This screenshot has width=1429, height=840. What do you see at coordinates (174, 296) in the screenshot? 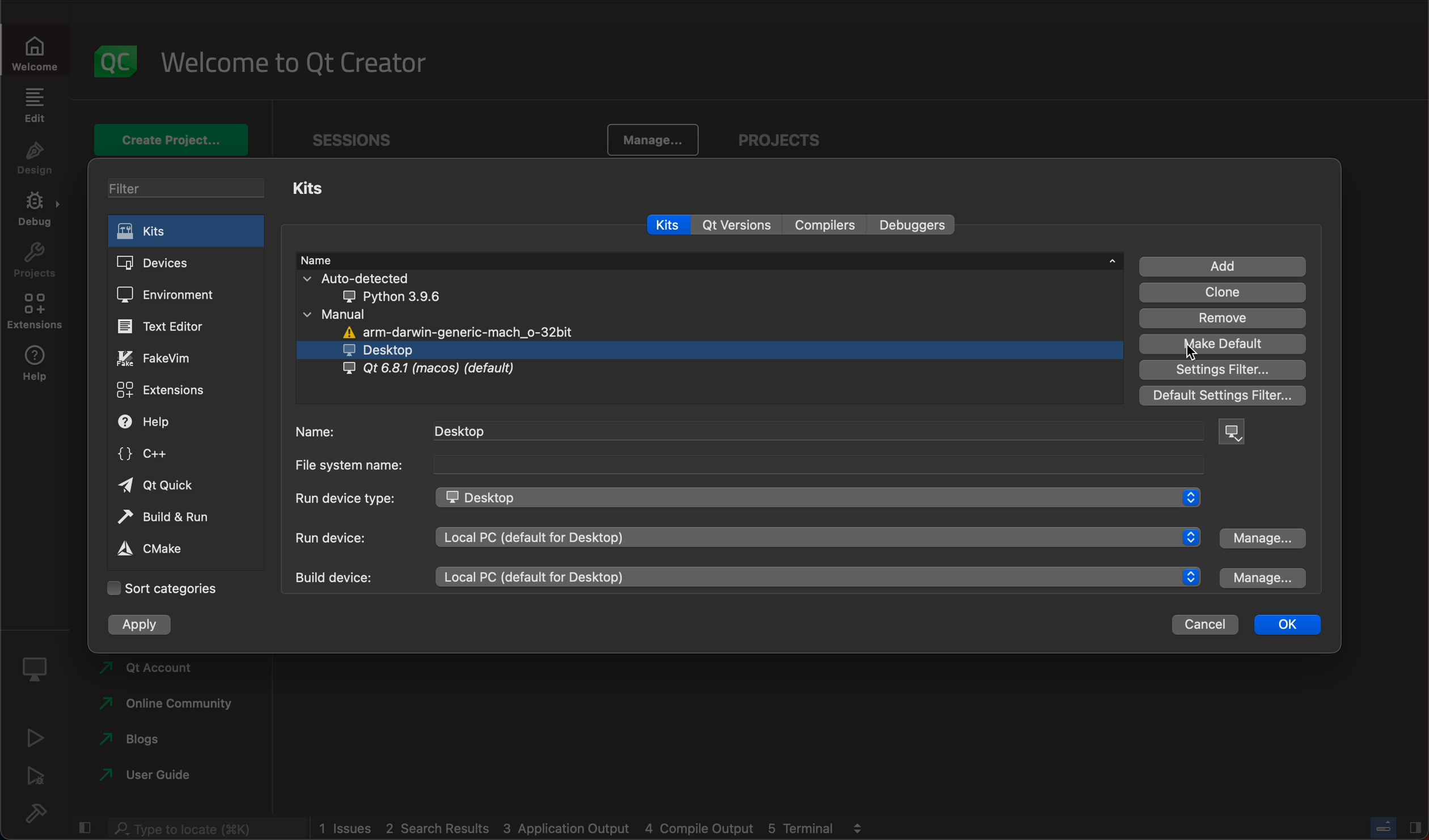
I see `environment` at bounding box center [174, 296].